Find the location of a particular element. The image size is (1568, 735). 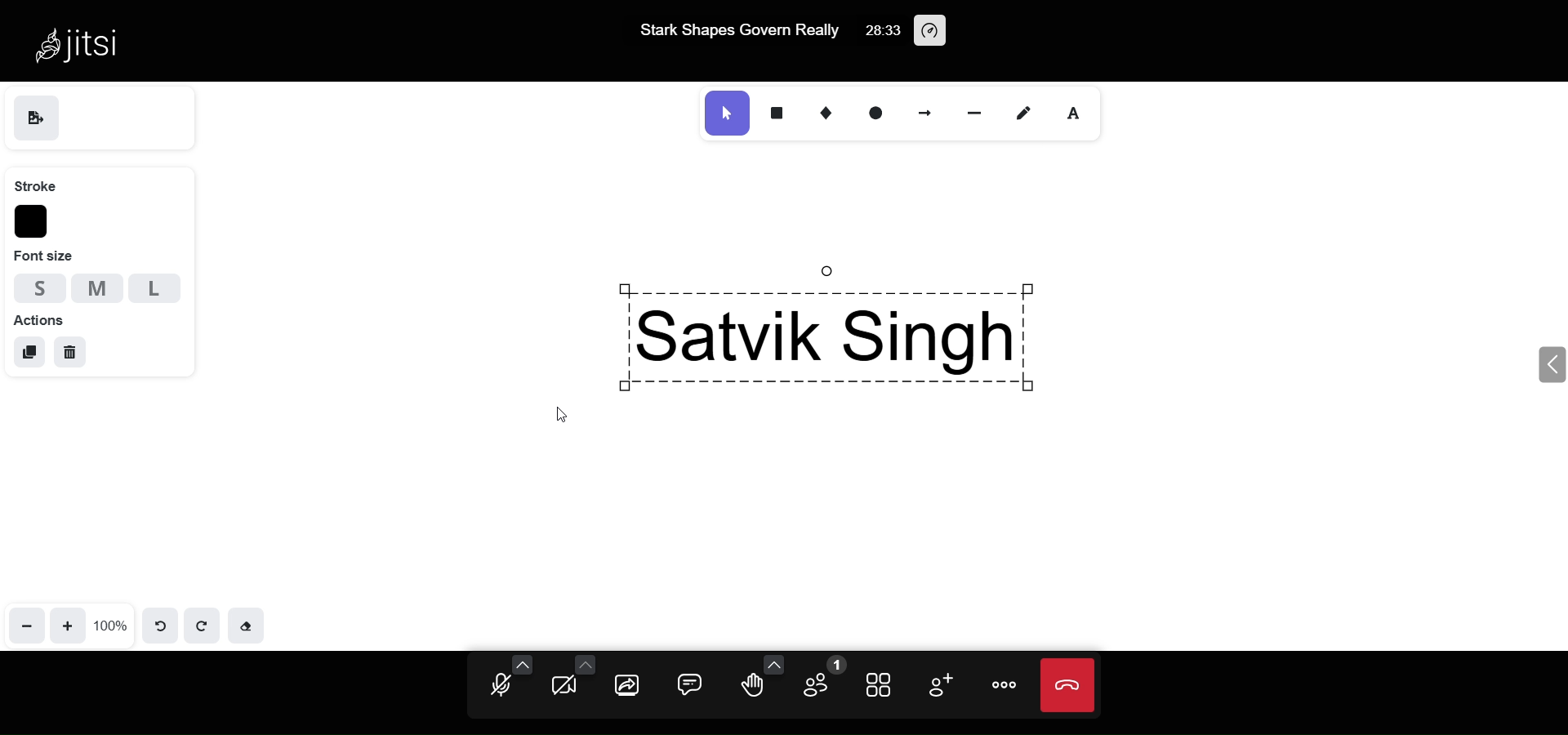

more camera option is located at coordinates (583, 664).